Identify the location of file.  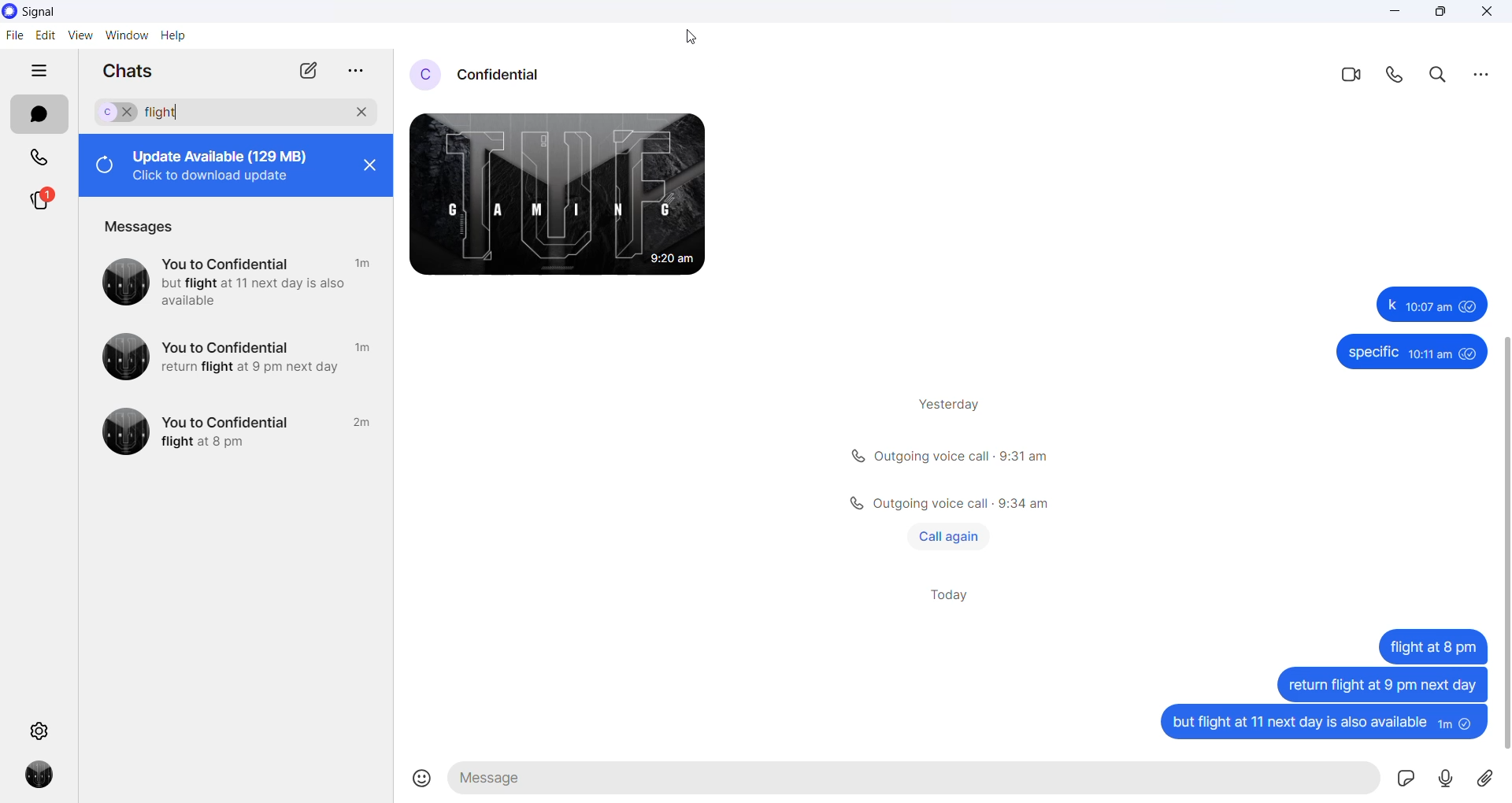
(14, 39).